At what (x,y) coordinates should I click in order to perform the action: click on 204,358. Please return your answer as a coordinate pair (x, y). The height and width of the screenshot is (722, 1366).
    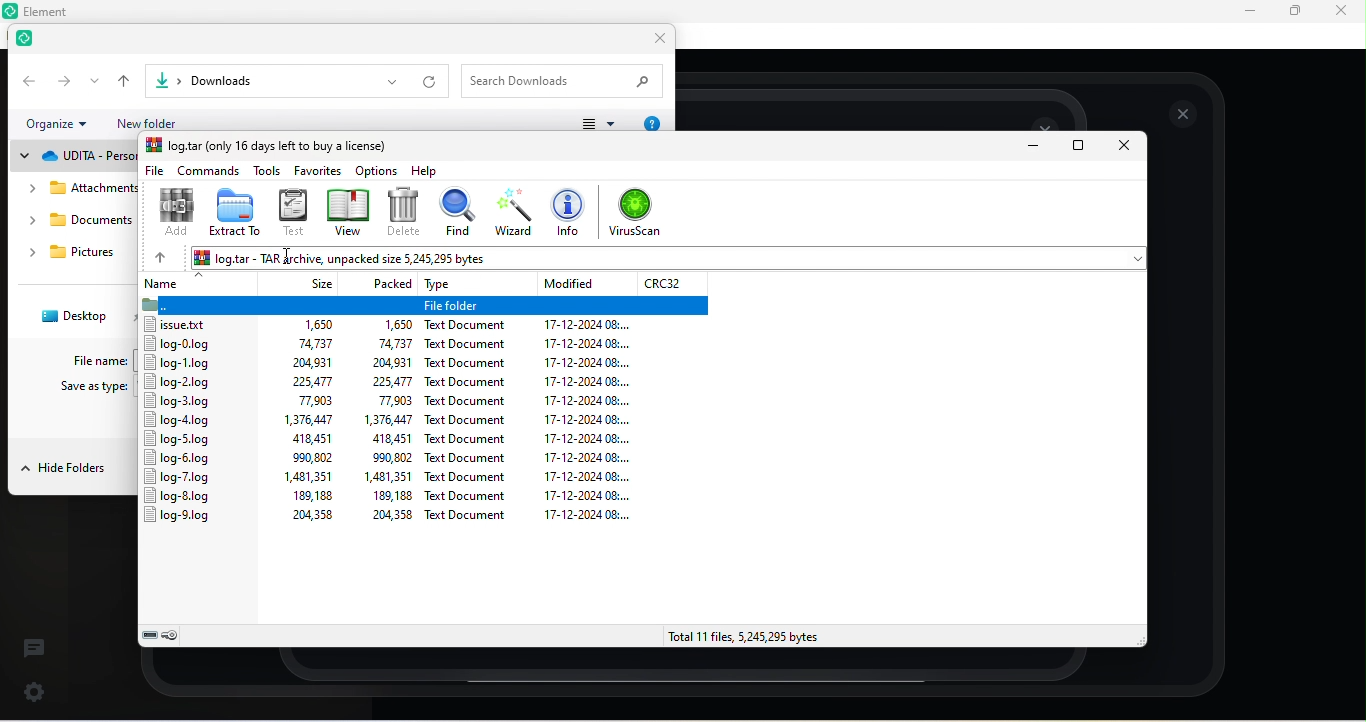
    Looking at the image, I should click on (312, 515).